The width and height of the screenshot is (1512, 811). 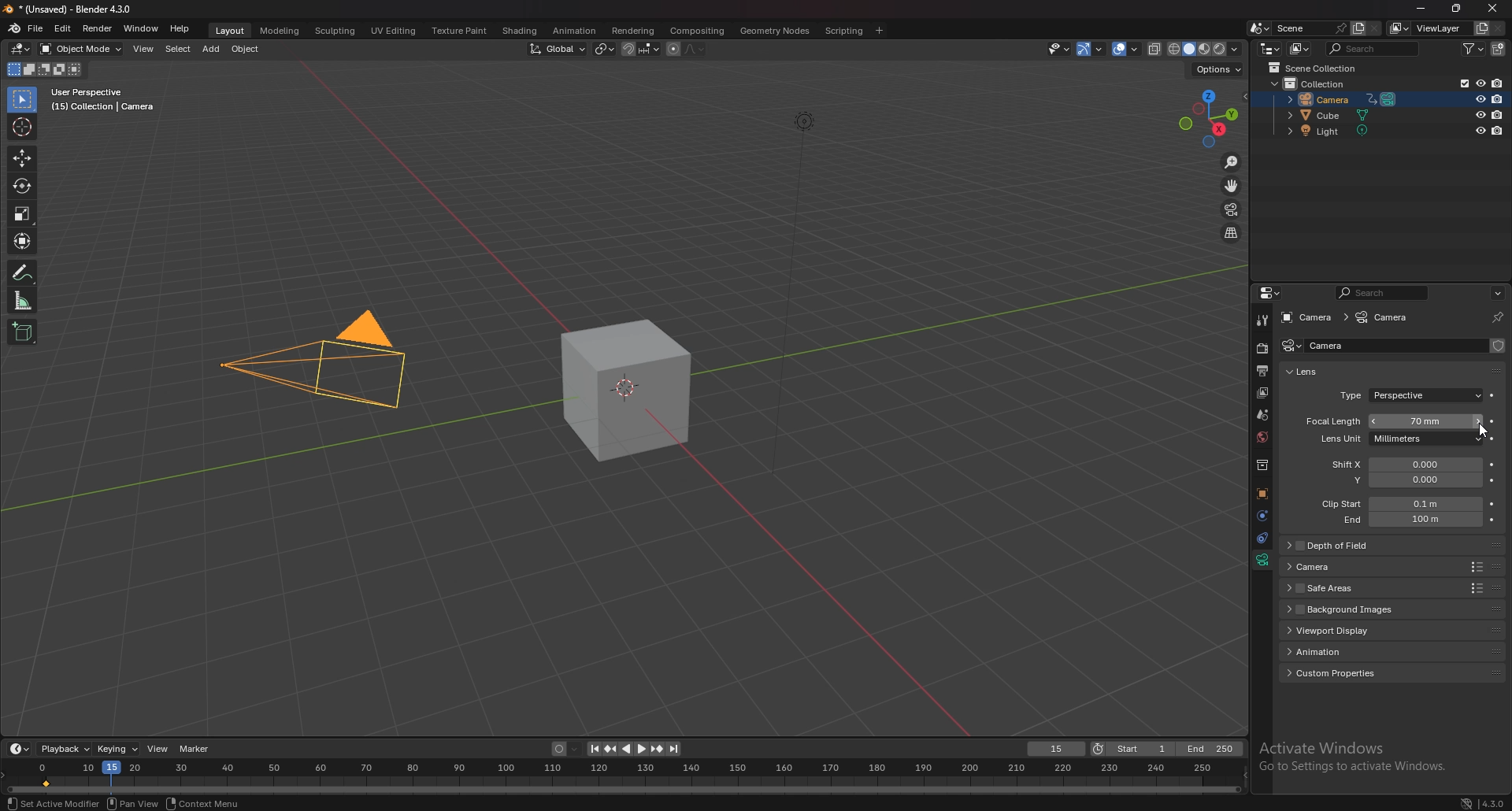 I want to click on hide in viewport, so click(x=1480, y=131).